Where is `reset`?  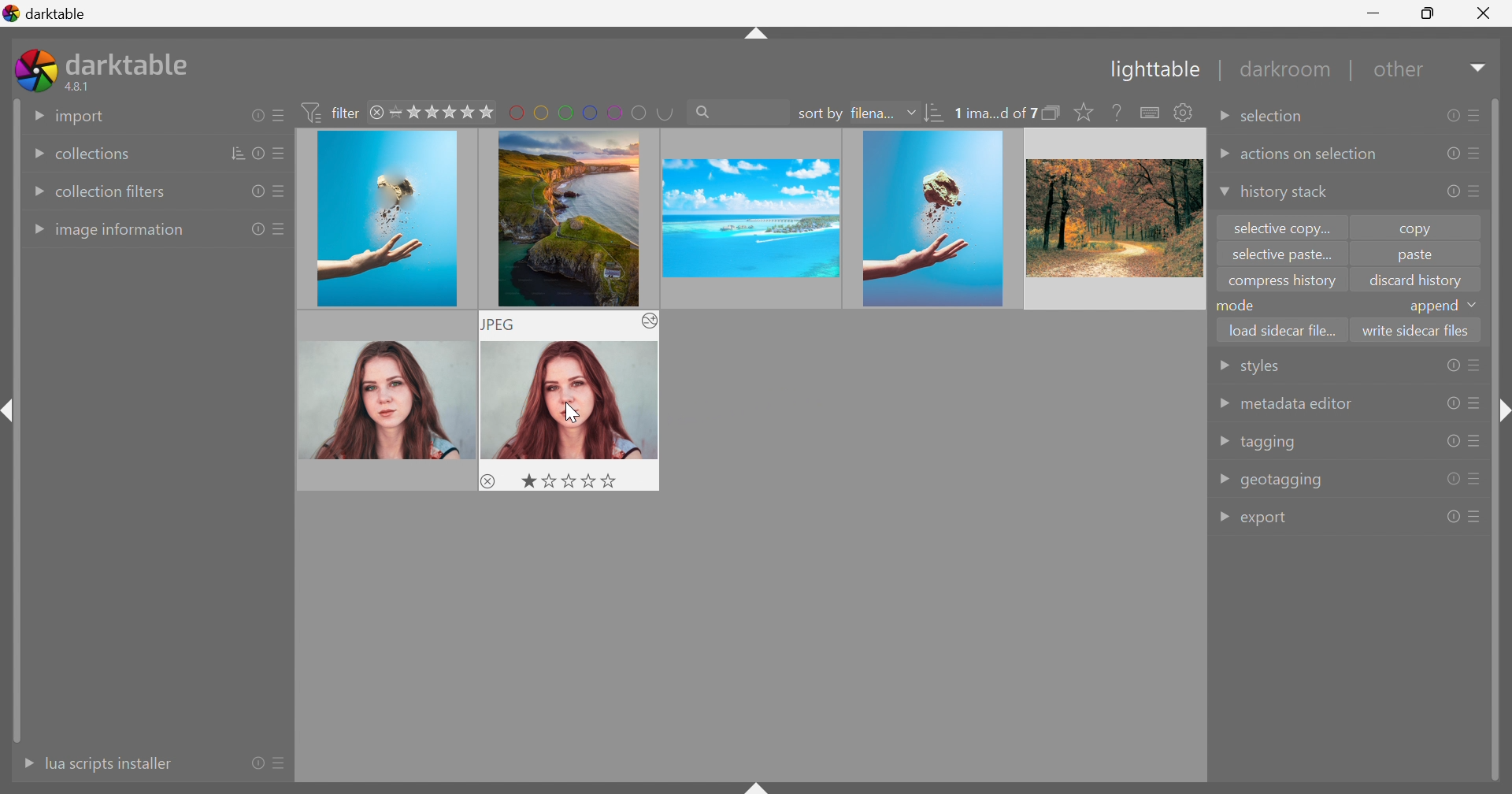 reset is located at coordinates (1450, 194).